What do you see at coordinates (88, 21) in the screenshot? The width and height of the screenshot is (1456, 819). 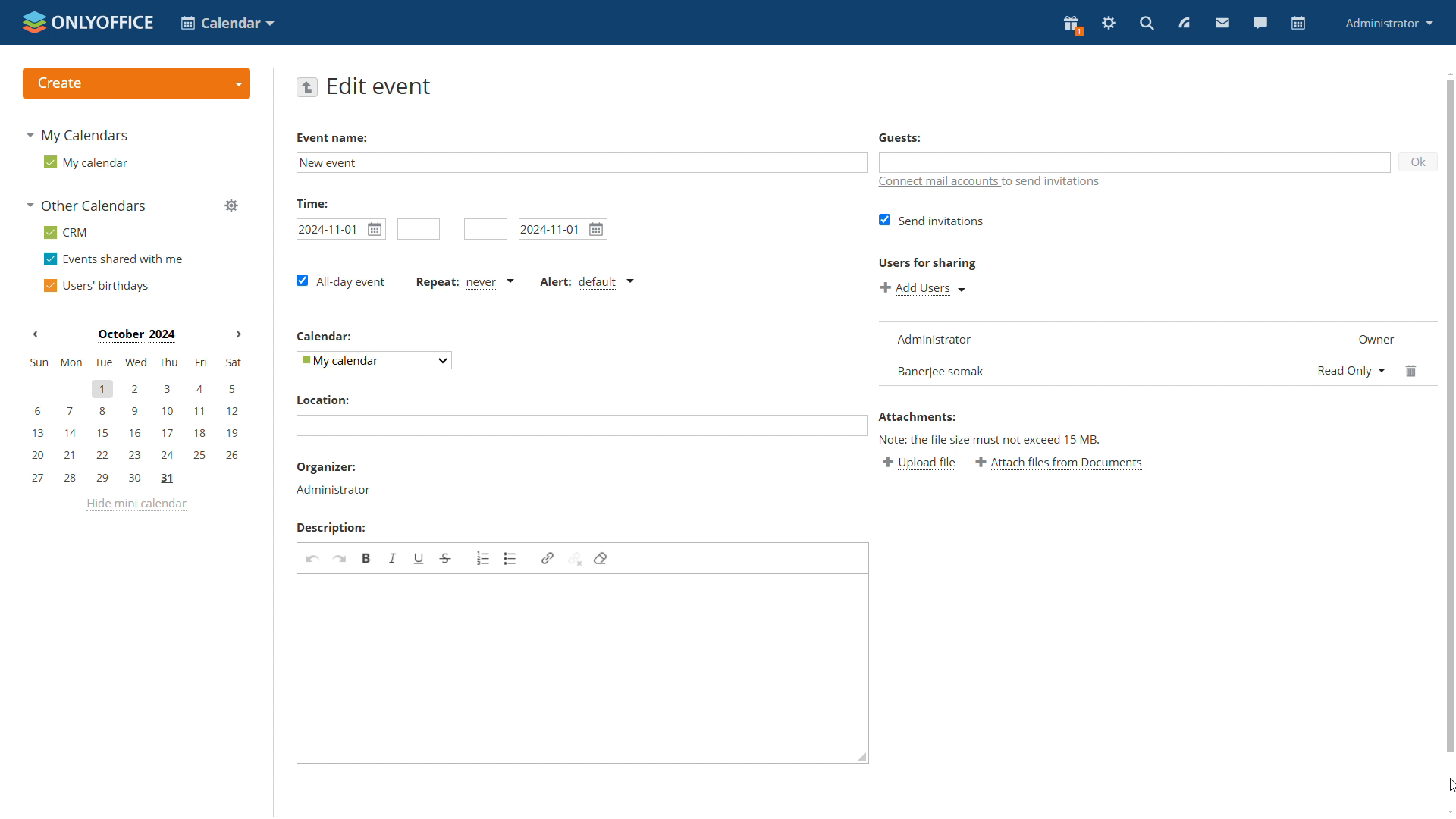 I see `logo` at bounding box center [88, 21].